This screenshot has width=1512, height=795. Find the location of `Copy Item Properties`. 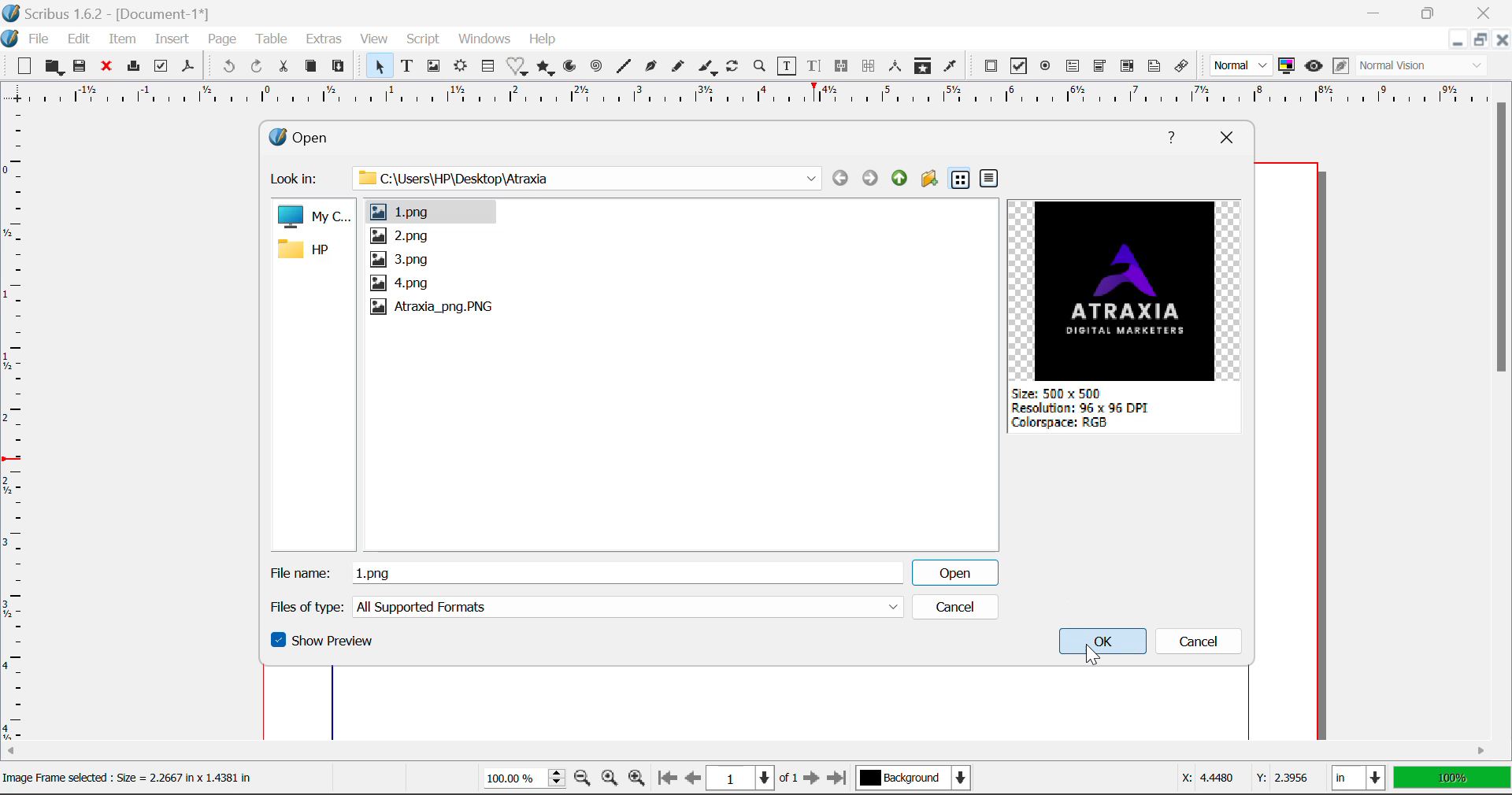

Copy Item Properties is located at coordinates (926, 68).